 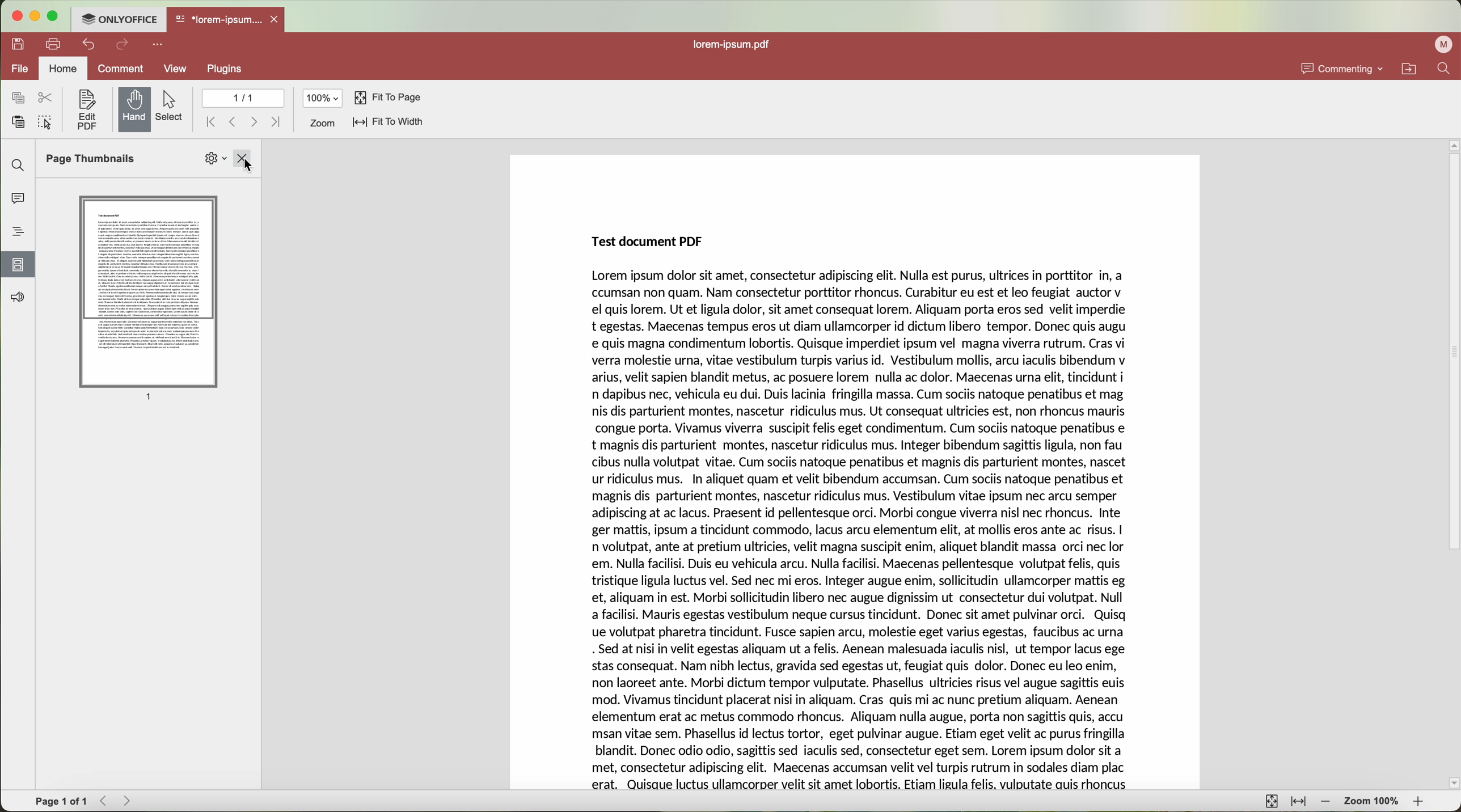 I want to click on copy, so click(x=15, y=98).